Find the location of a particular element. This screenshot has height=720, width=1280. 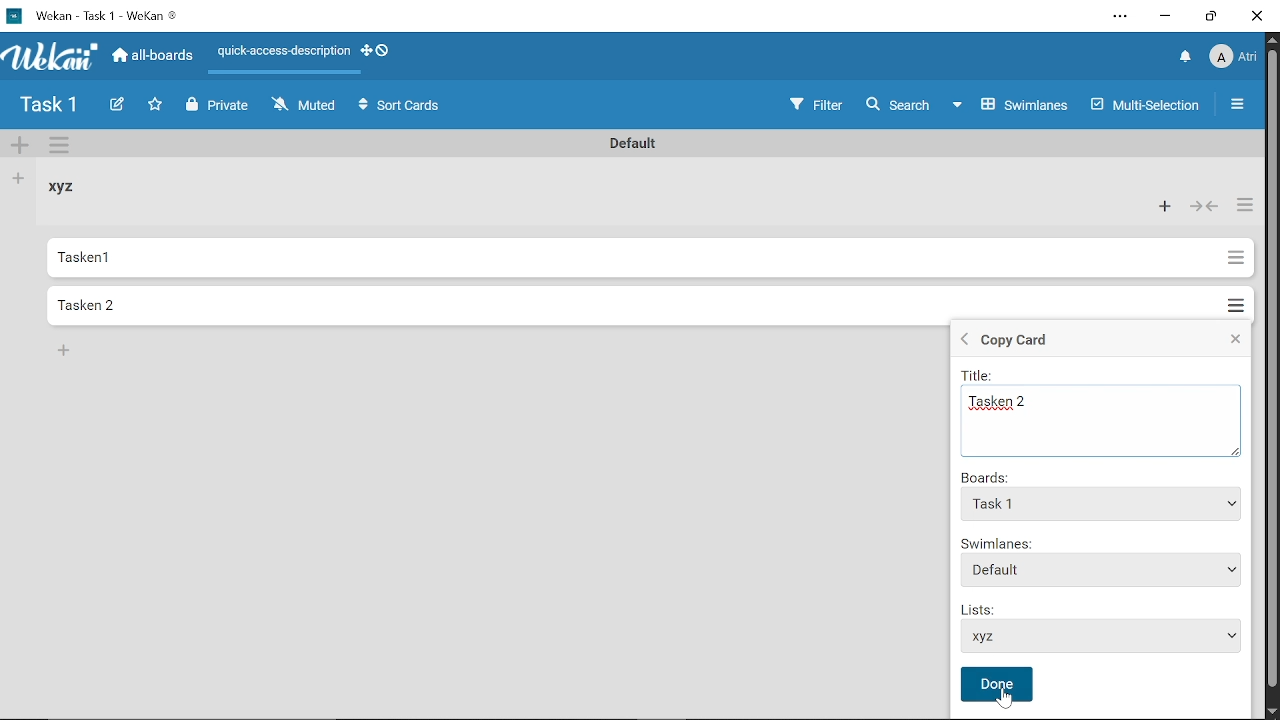

Close is located at coordinates (1258, 16).